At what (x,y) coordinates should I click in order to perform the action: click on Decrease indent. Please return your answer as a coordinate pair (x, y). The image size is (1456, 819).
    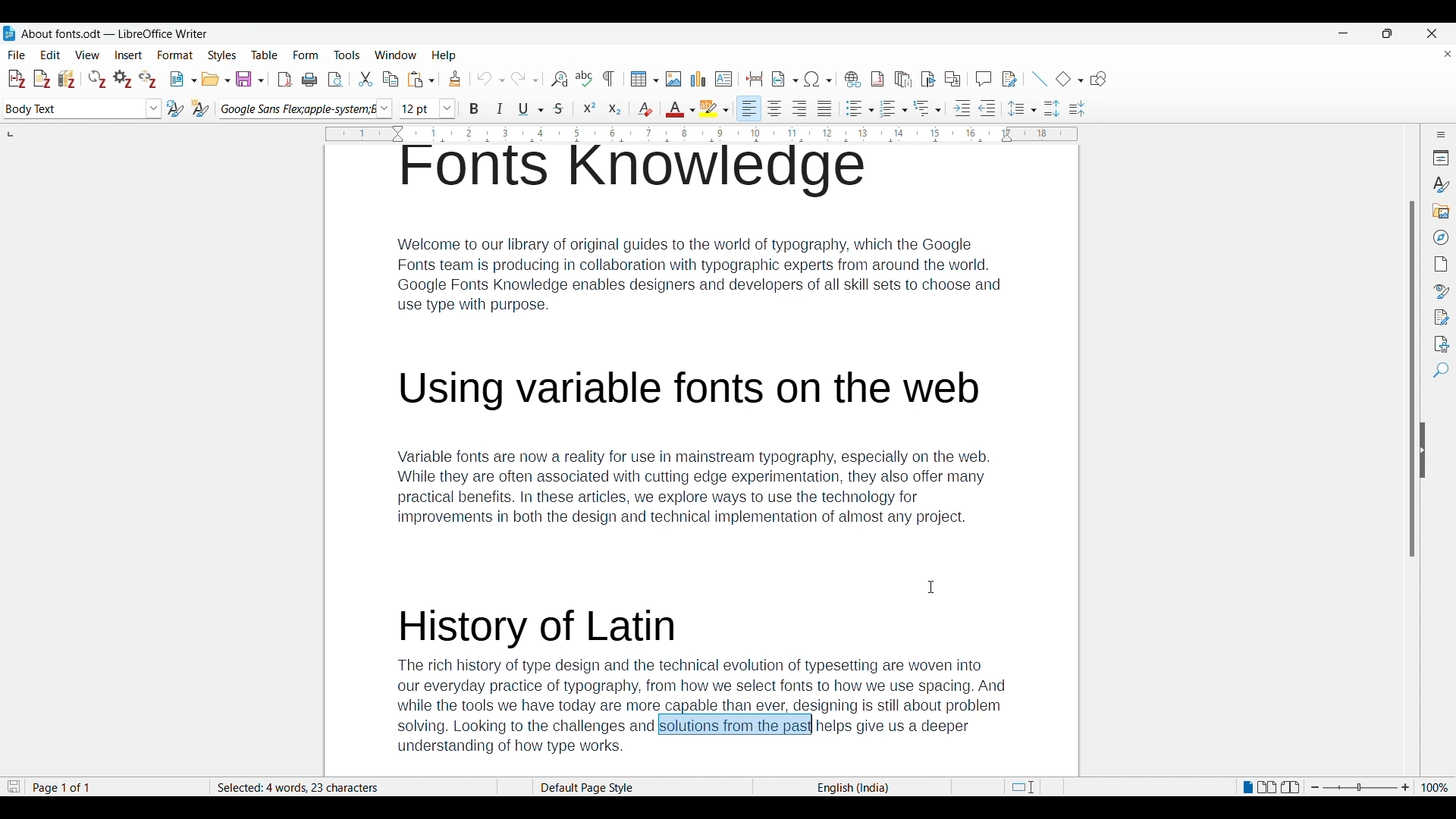
    Looking at the image, I should click on (987, 108).